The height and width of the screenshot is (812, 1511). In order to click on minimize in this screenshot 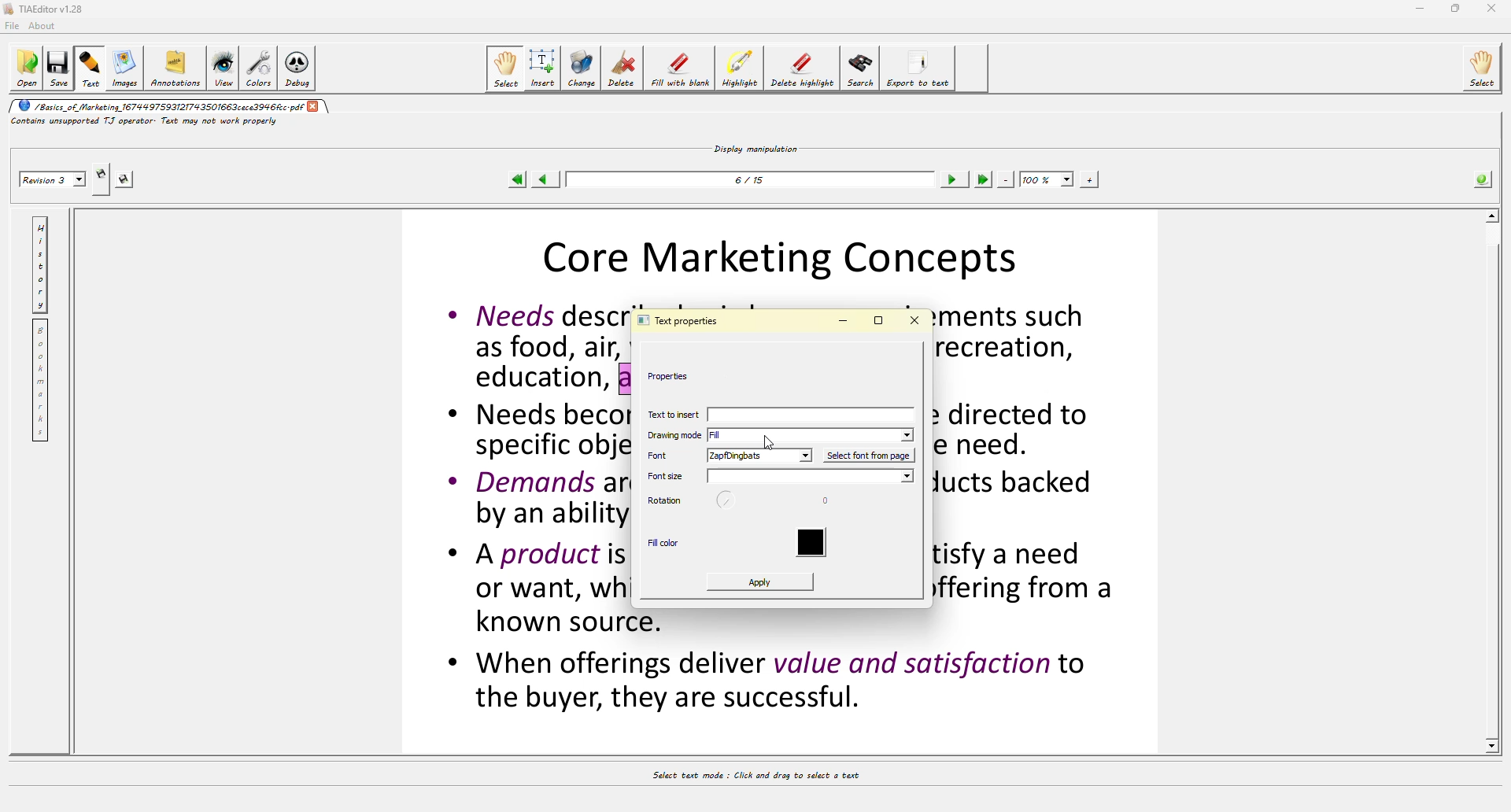, I will do `click(845, 319)`.